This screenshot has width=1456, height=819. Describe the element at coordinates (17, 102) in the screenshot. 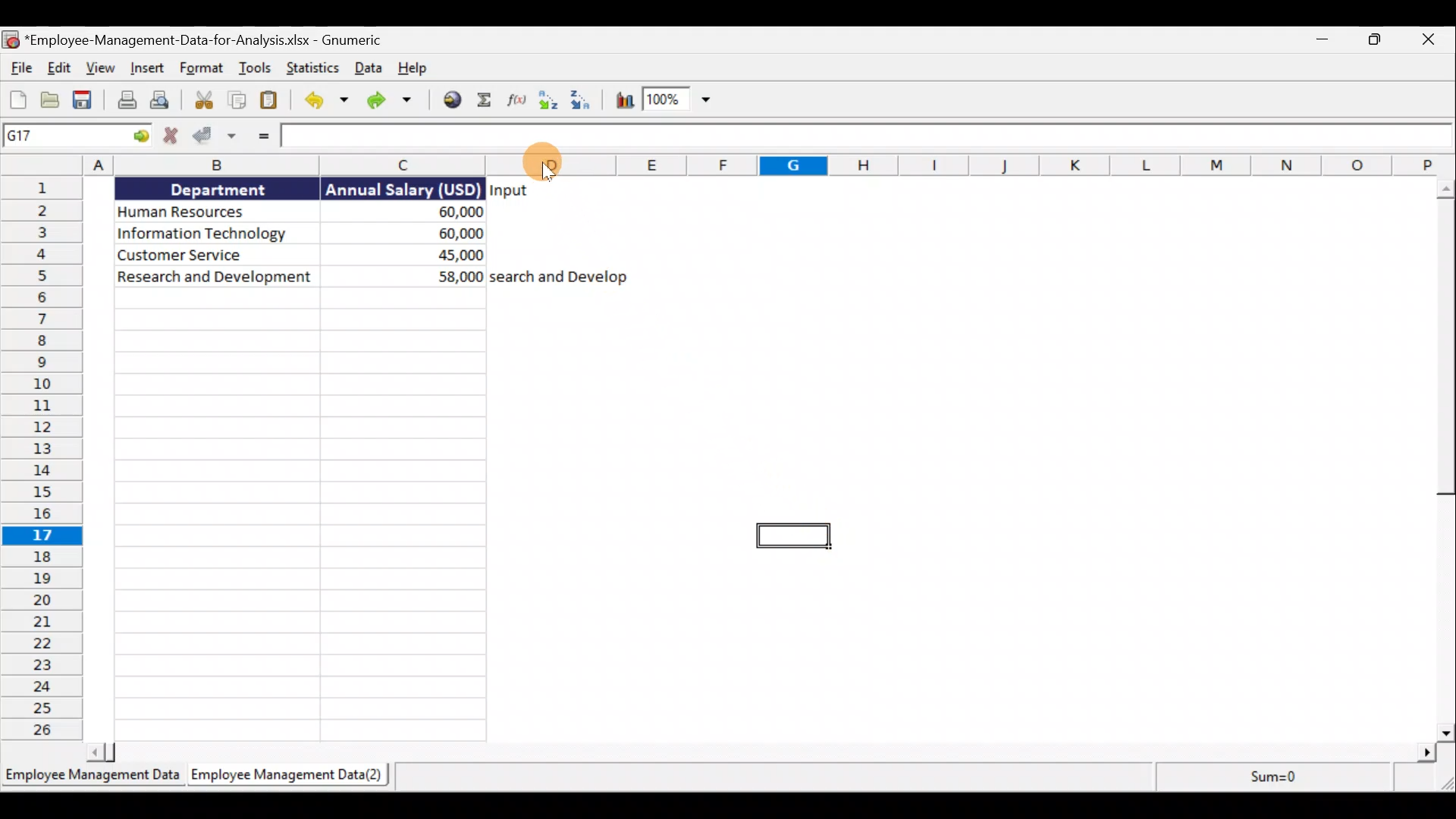

I see `Create a new workbook` at that location.